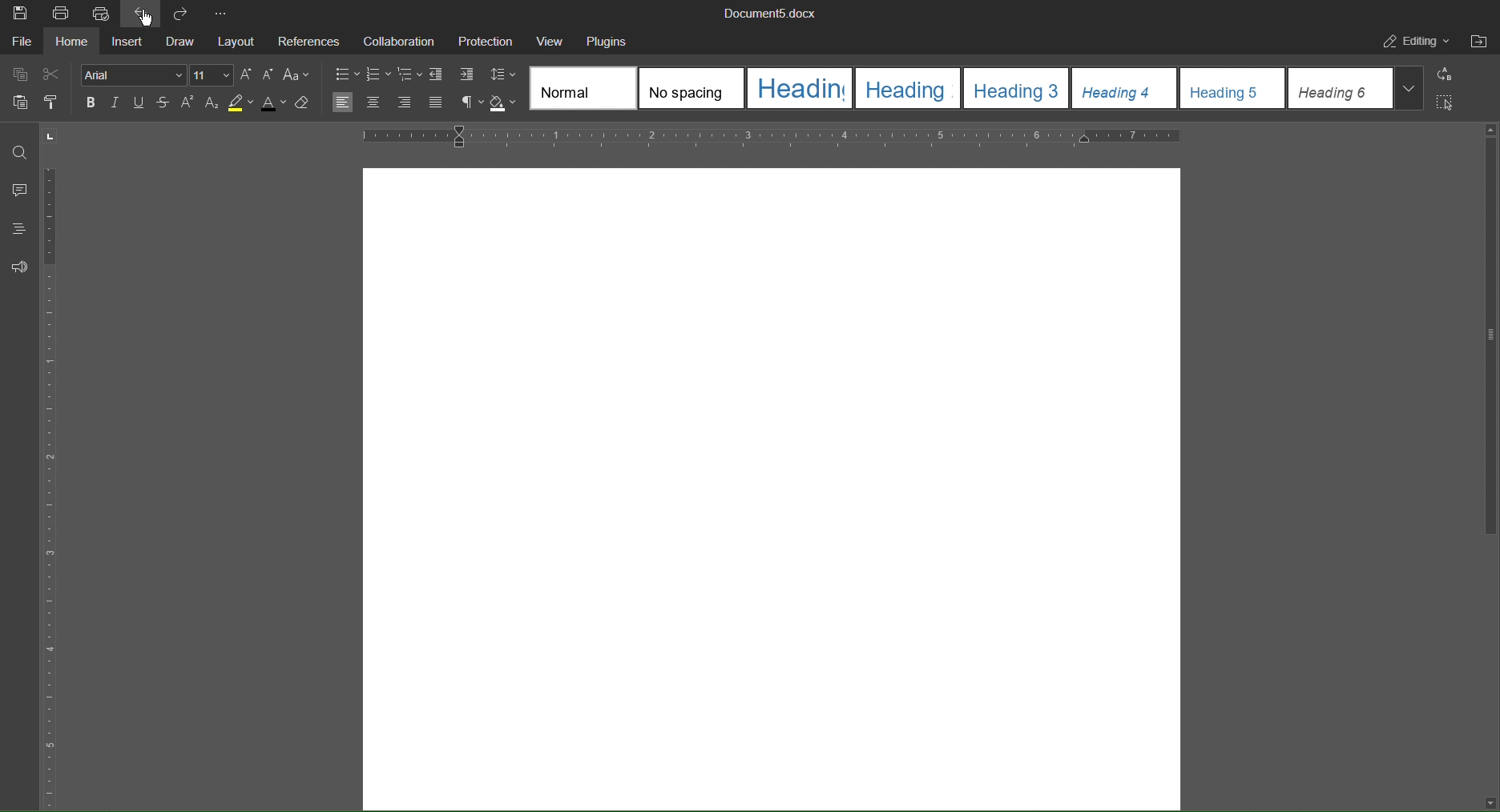  Describe the element at coordinates (20, 14) in the screenshot. I see `Save` at that location.